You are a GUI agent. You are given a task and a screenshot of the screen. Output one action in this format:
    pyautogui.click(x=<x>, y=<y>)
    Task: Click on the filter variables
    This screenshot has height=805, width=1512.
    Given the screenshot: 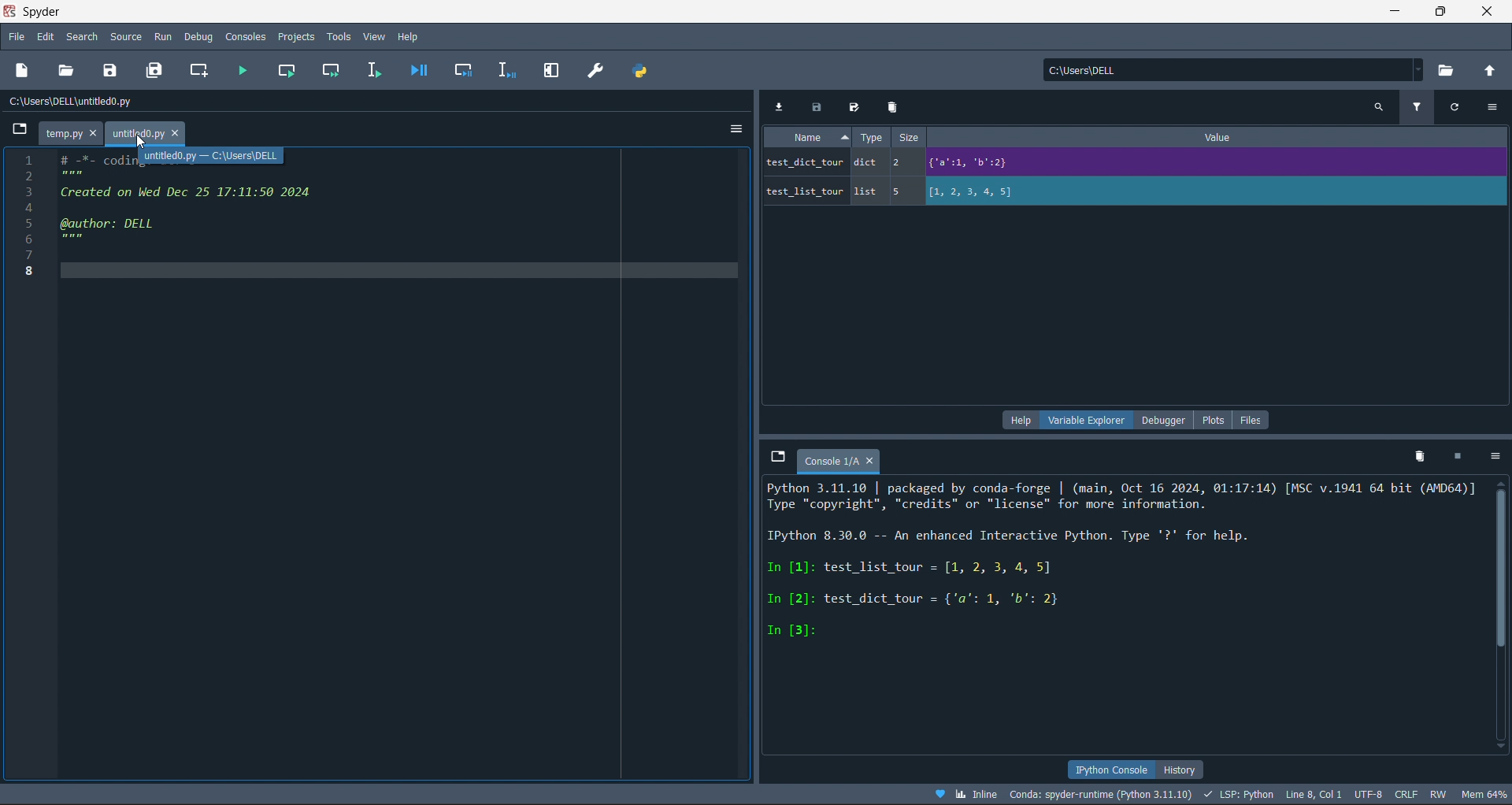 What is the action you would take?
    pyautogui.click(x=1414, y=108)
    